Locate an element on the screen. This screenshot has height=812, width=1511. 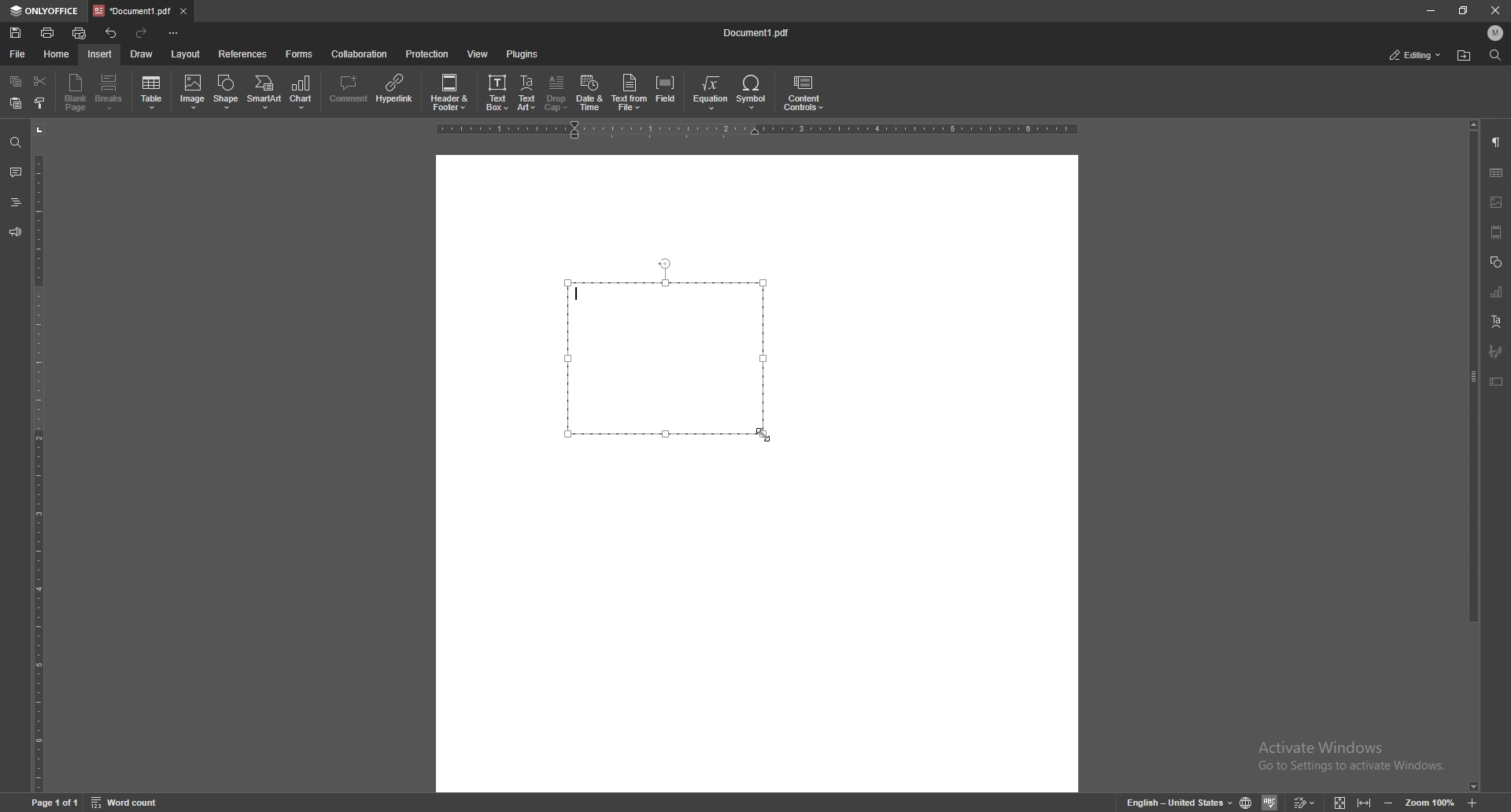
expand is located at coordinates (1350, 803).